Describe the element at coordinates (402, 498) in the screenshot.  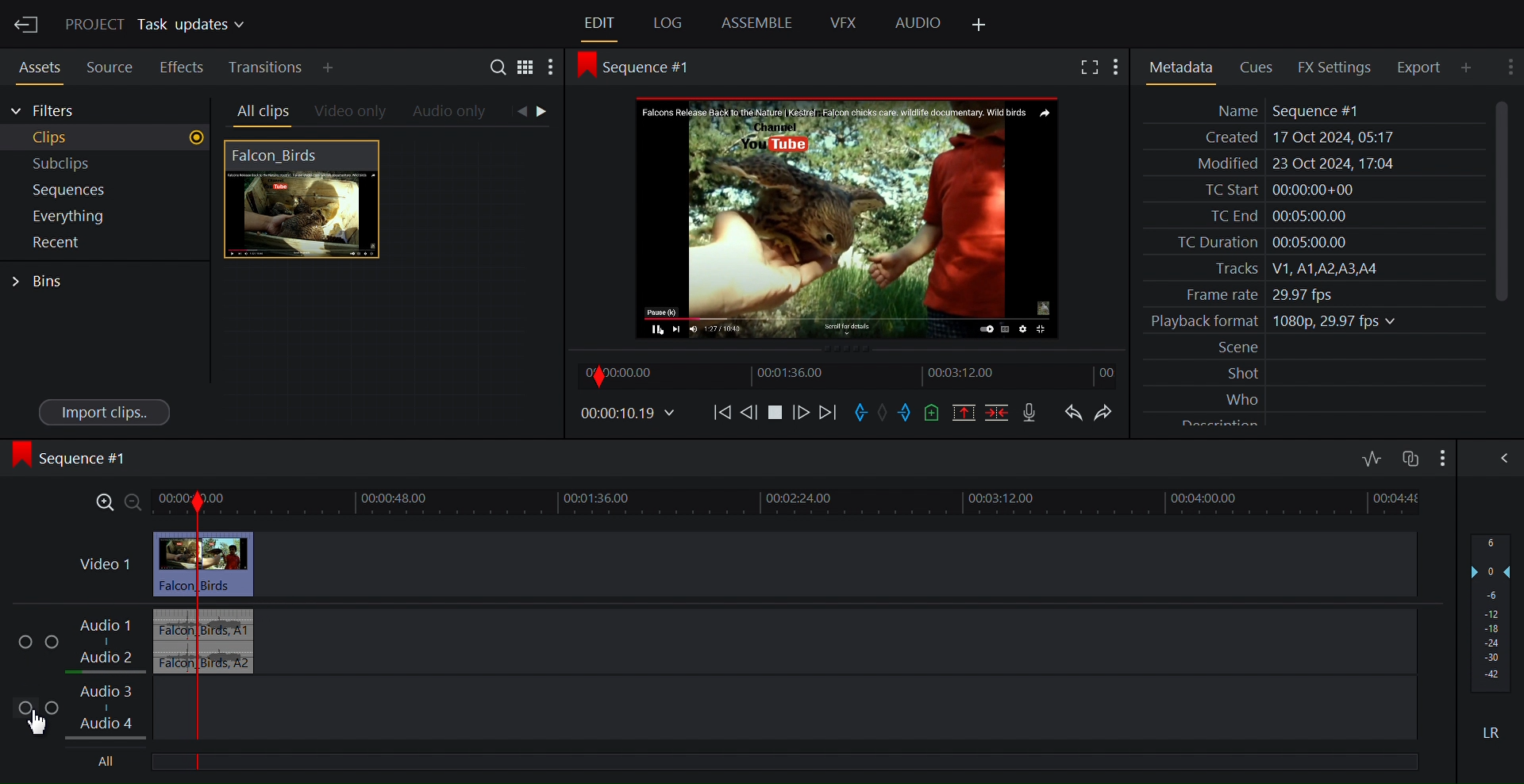
I see `| 00:00:48.00` at that location.